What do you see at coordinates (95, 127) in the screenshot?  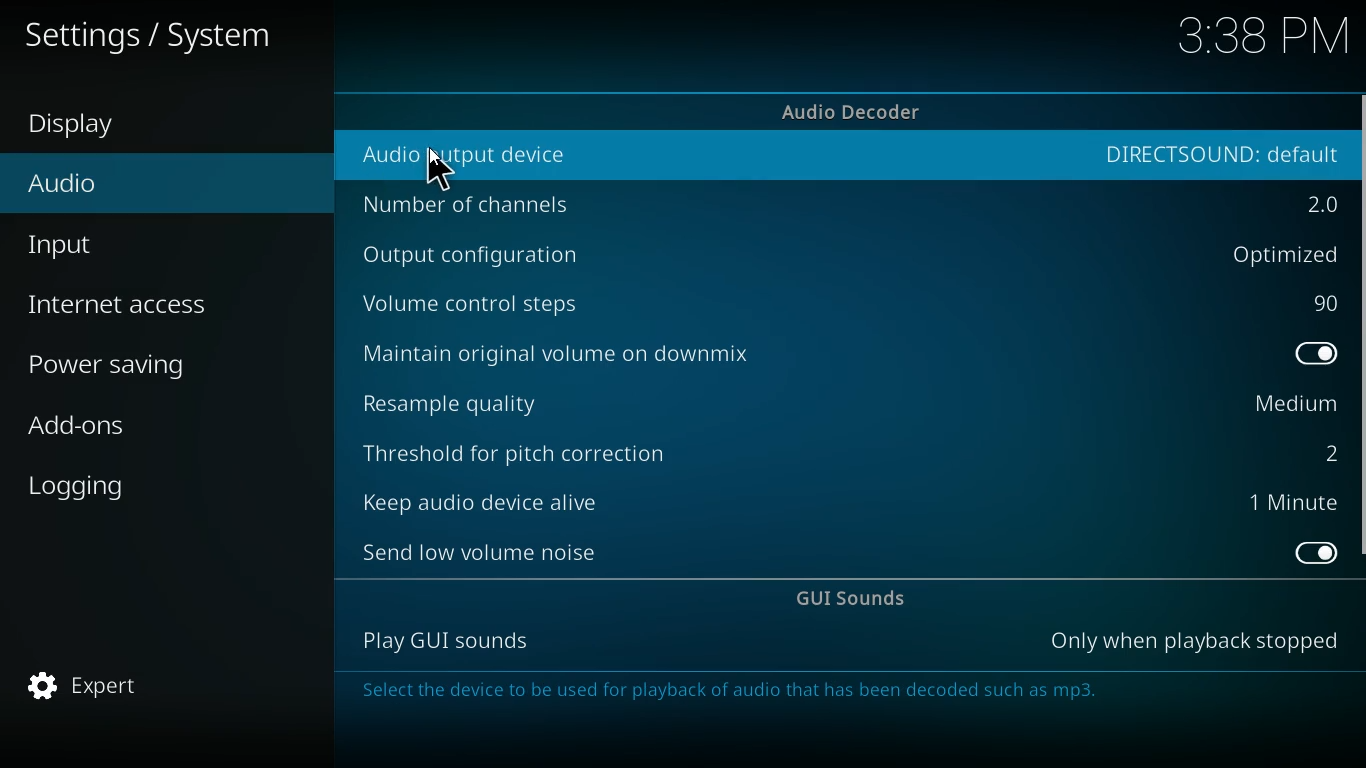 I see `display` at bounding box center [95, 127].